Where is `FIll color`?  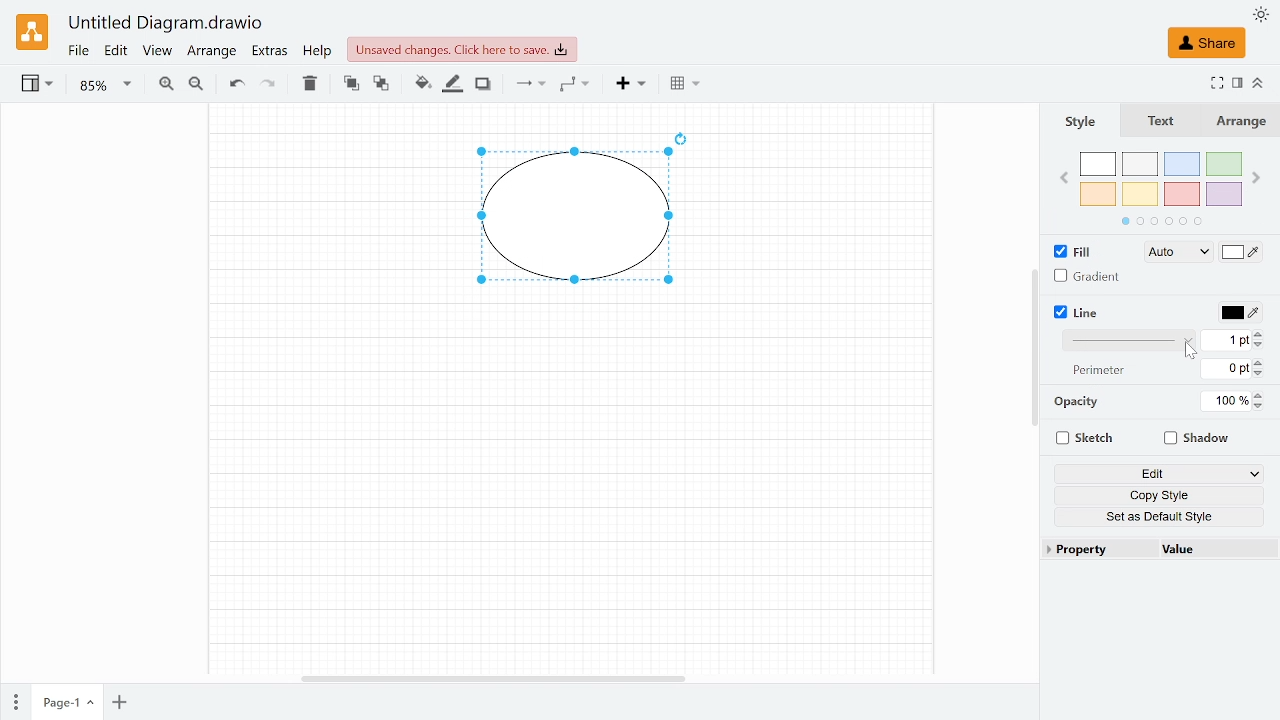 FIll color is located at coordinates (1241, 252).